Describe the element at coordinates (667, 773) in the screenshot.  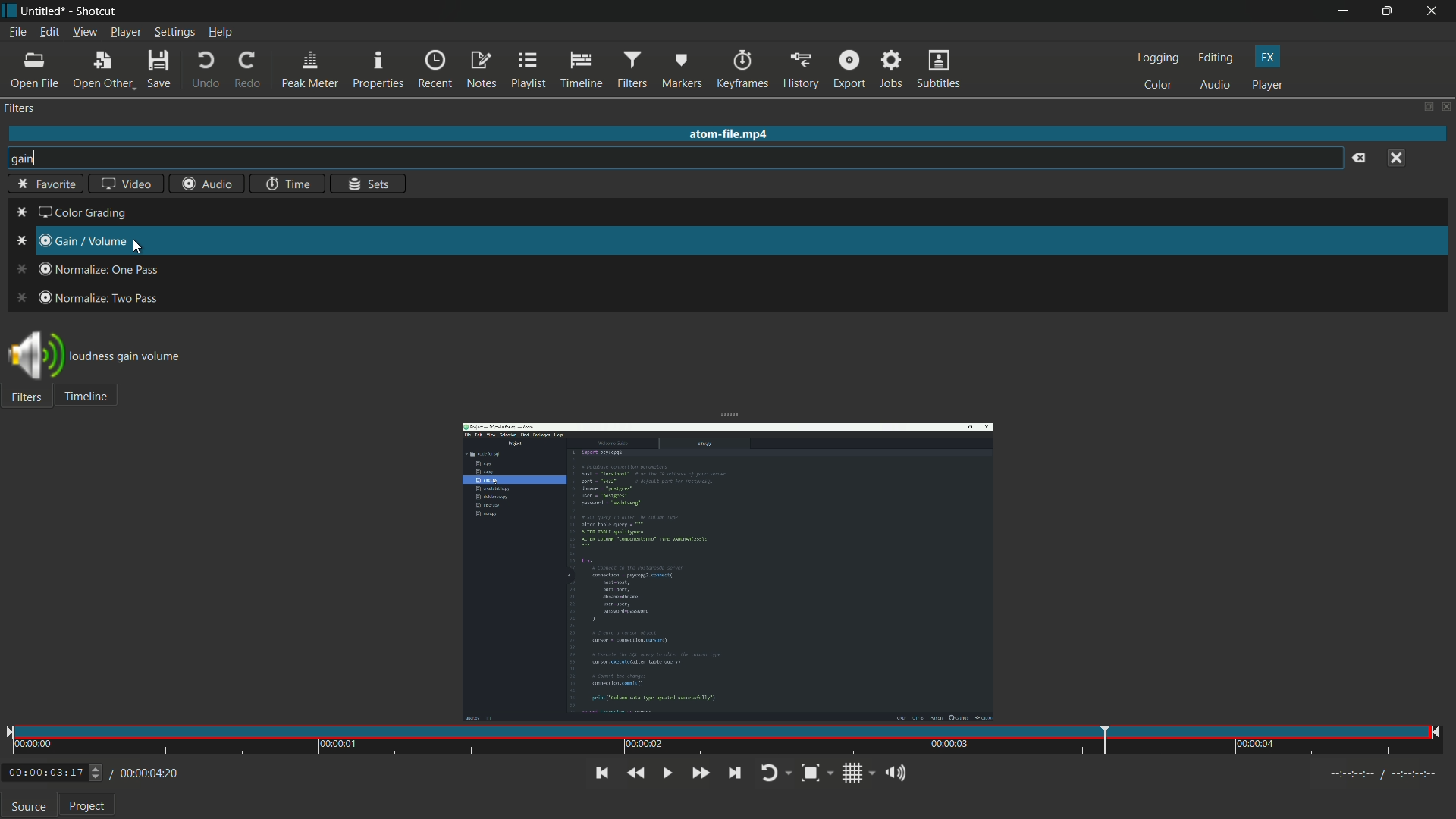
I see `toggle play or pause` at that location.